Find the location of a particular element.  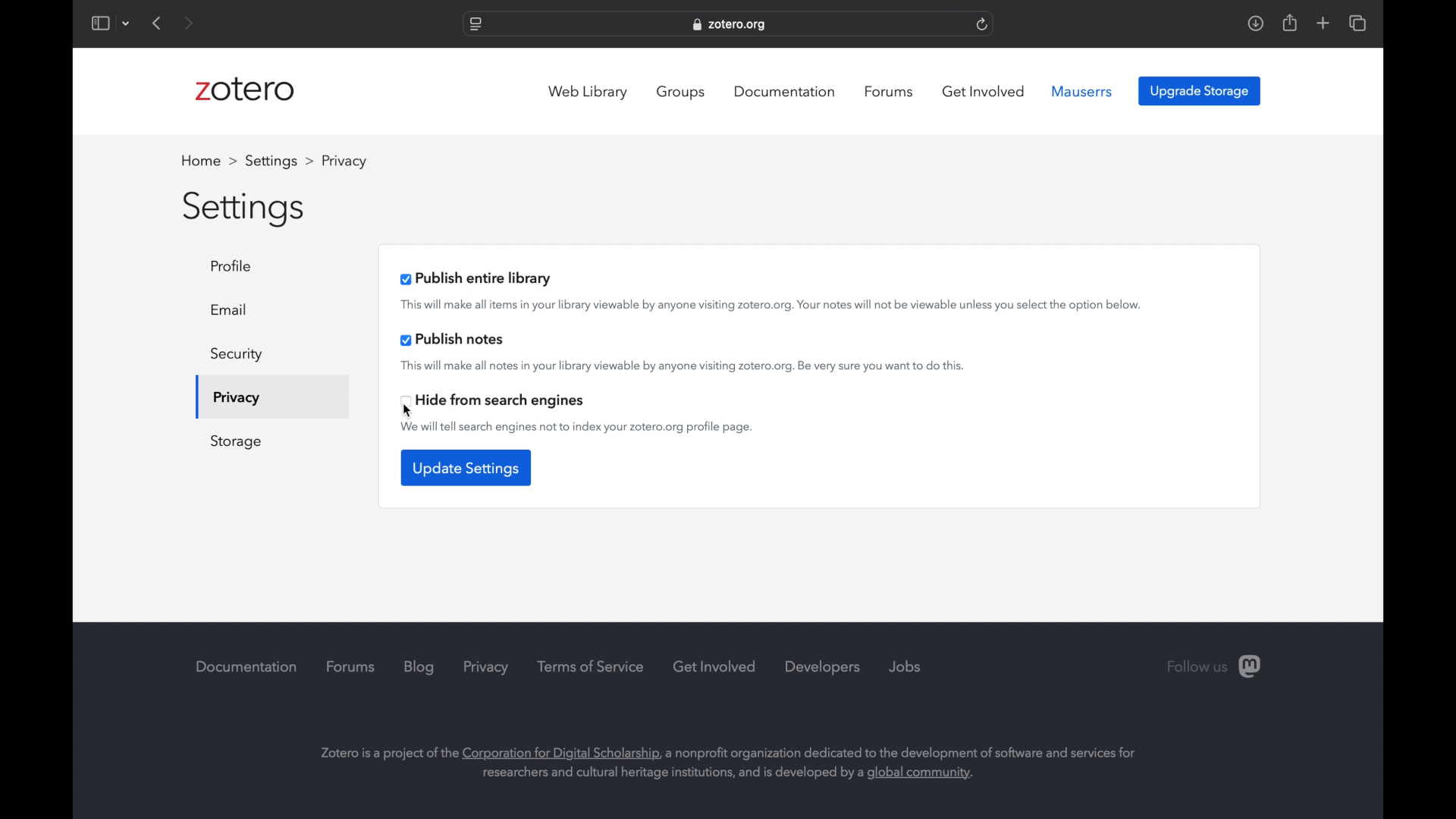

email is located at coordinates (229, 309).